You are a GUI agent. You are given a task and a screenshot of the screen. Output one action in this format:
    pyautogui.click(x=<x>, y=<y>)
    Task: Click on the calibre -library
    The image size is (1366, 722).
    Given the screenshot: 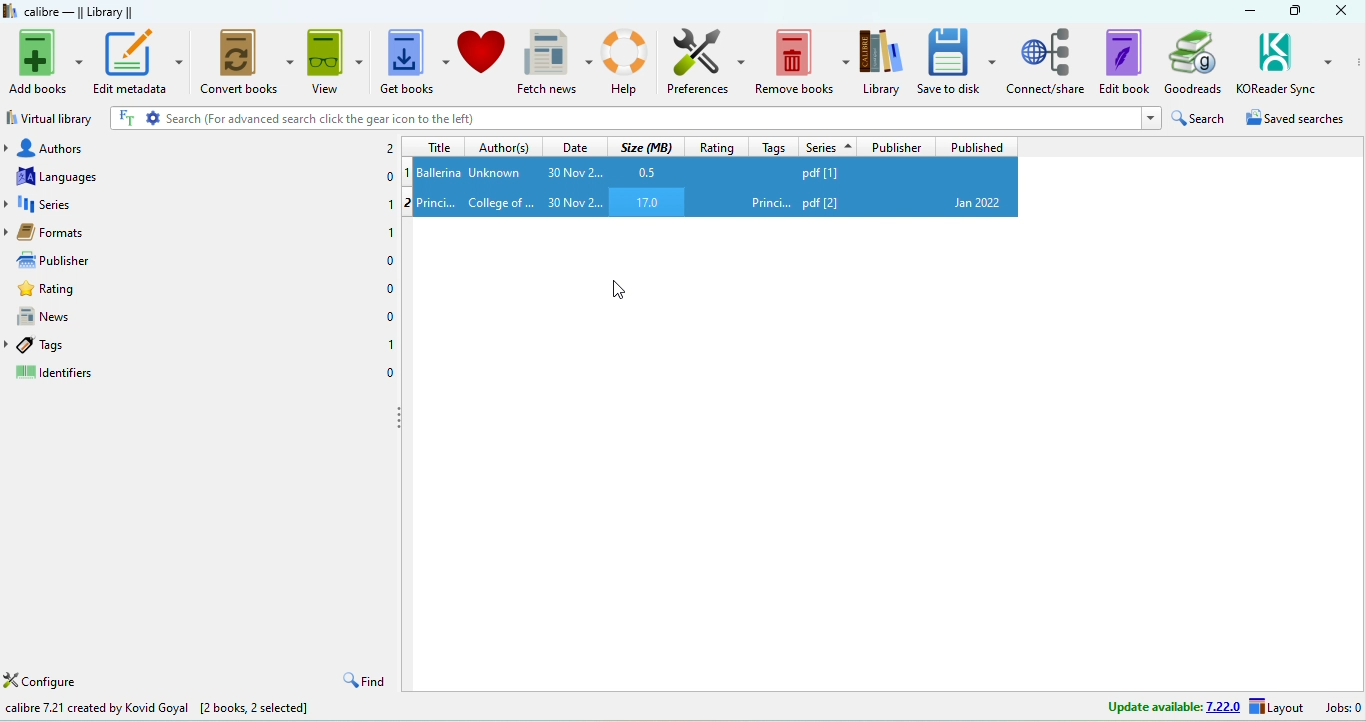 What is the action you would take?
    pyautogui.click(x=80, y=11)
    